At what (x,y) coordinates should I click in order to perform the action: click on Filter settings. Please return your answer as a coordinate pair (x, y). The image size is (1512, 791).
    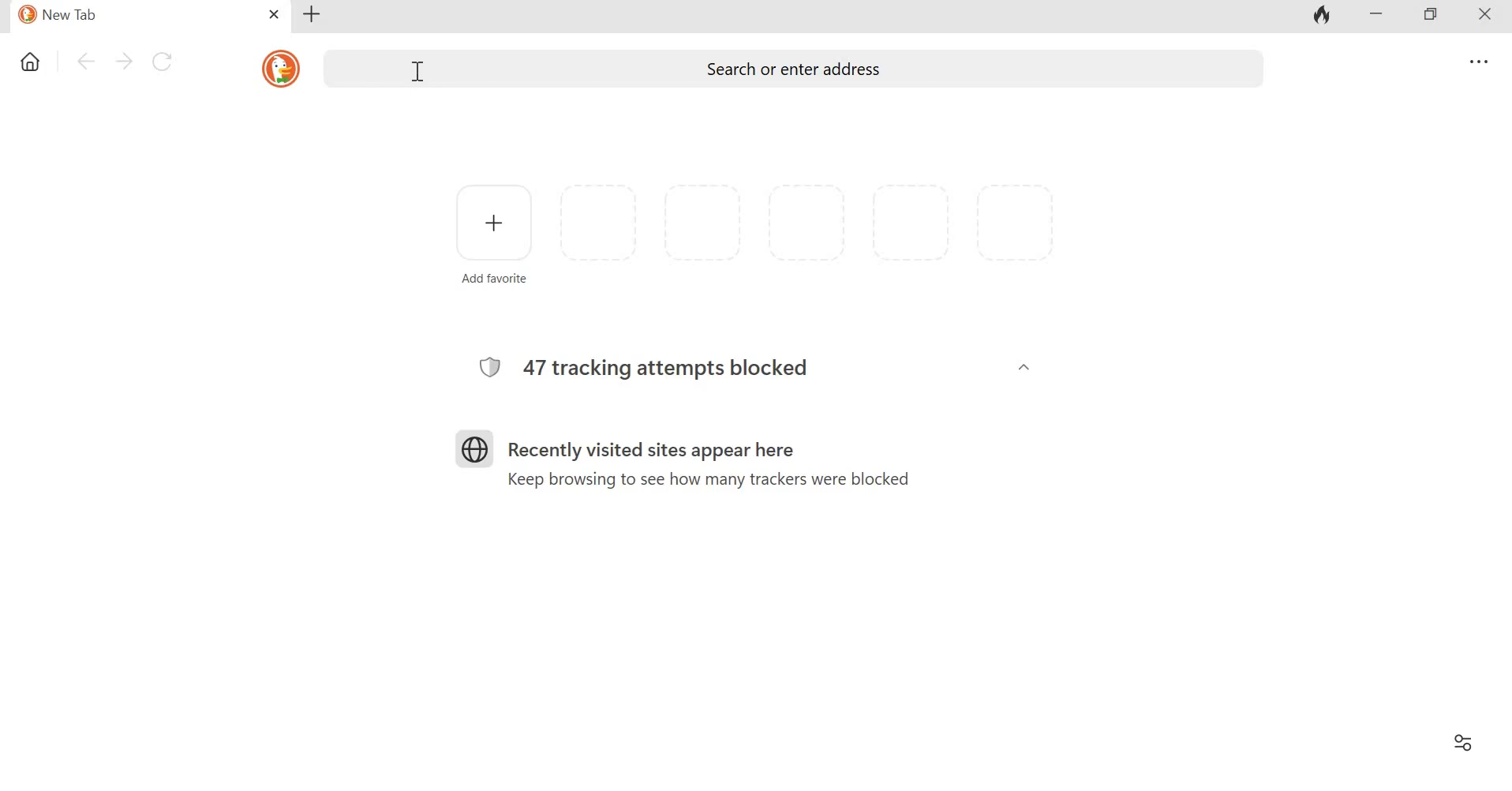
    Looking at the image, I should click on (1461, 740).